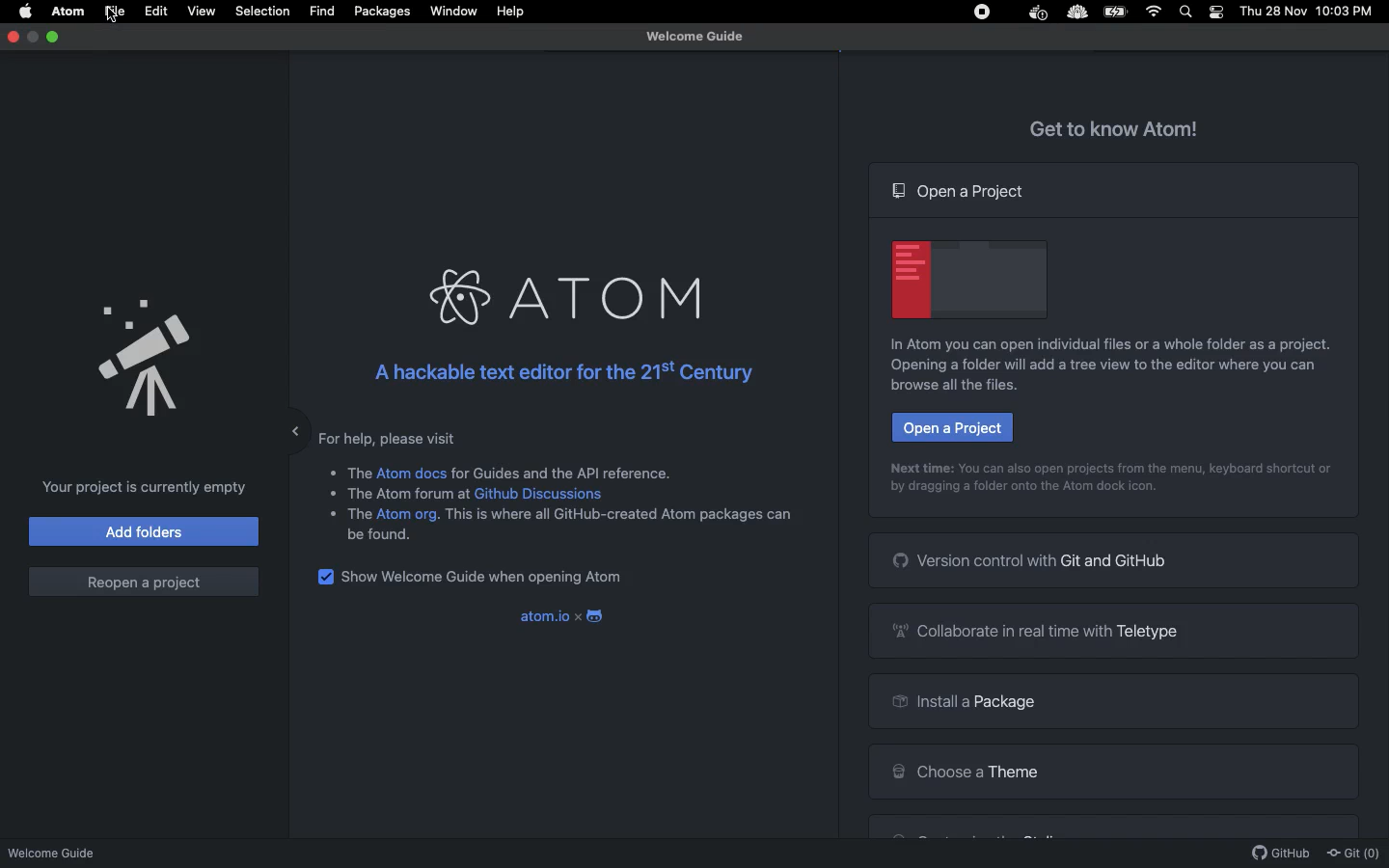 This screenshot has height=868, width=1389. I want to click on Packages, so click(382, 14).